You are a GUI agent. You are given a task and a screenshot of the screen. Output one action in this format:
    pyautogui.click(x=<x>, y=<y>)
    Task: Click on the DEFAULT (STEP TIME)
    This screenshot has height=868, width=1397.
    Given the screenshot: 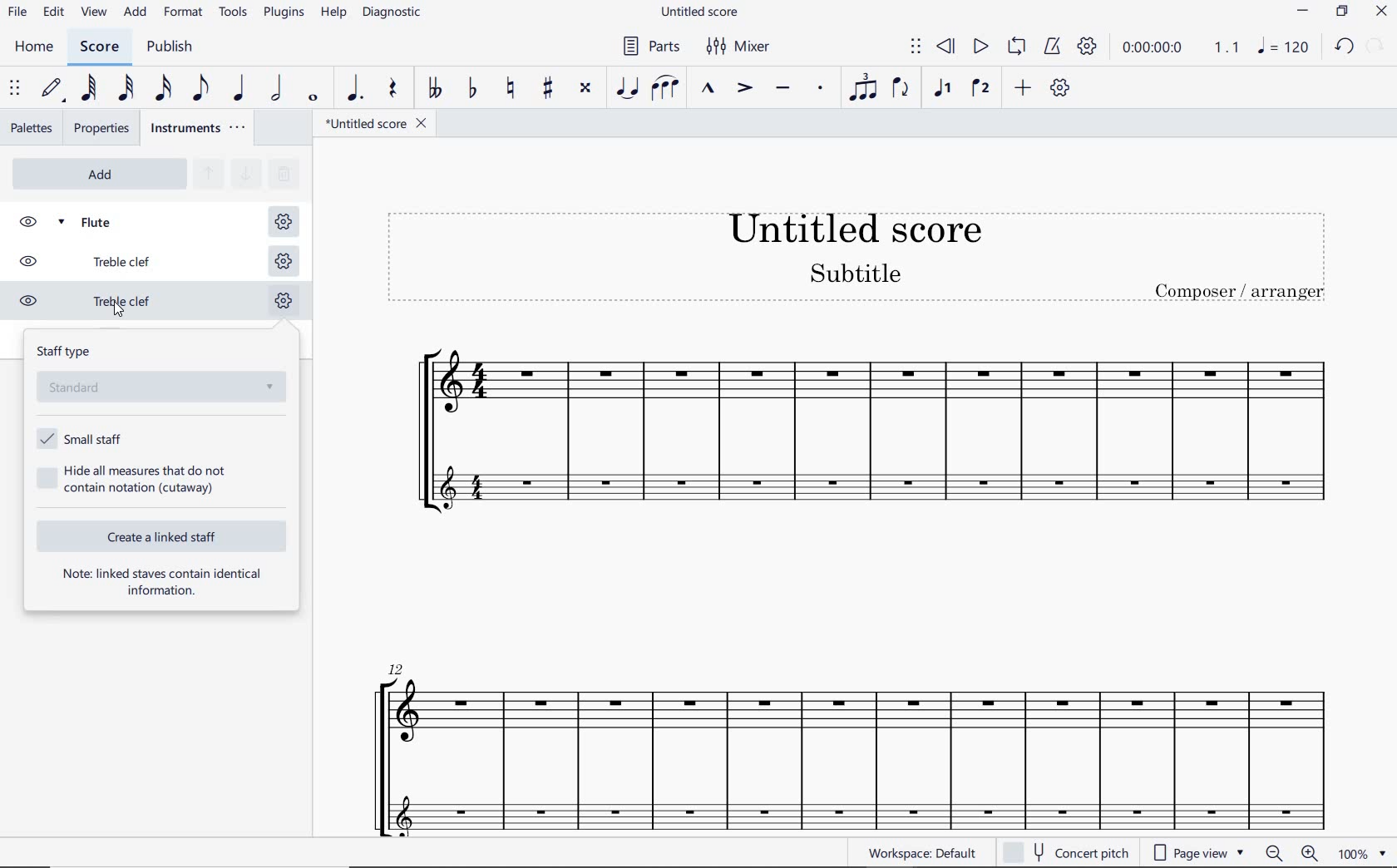 What is the action you would take?
    pyautogui.click(x=52, y=89)
    